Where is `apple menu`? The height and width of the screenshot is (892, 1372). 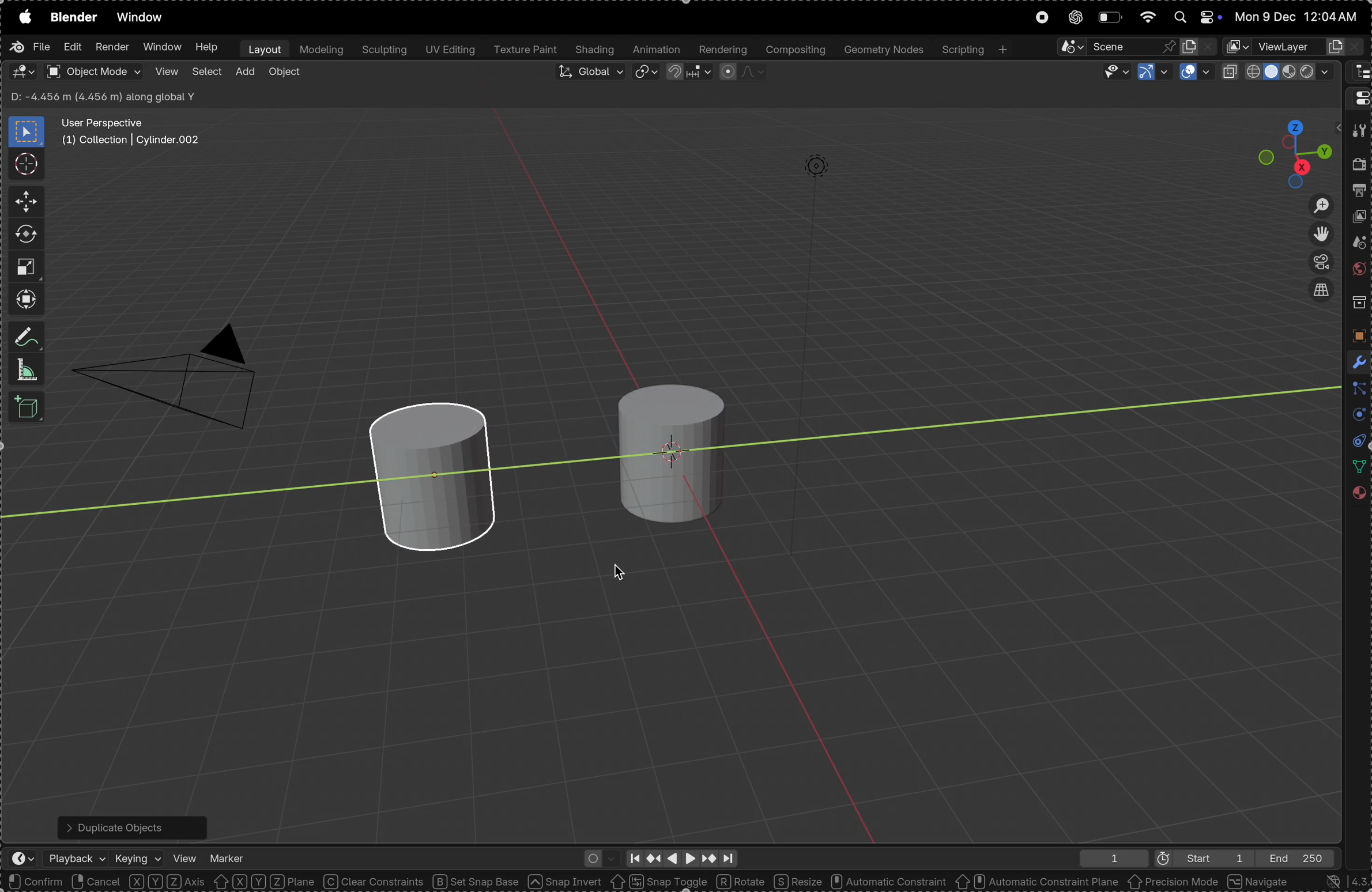
apple menu is located at coordinates (22, 17).